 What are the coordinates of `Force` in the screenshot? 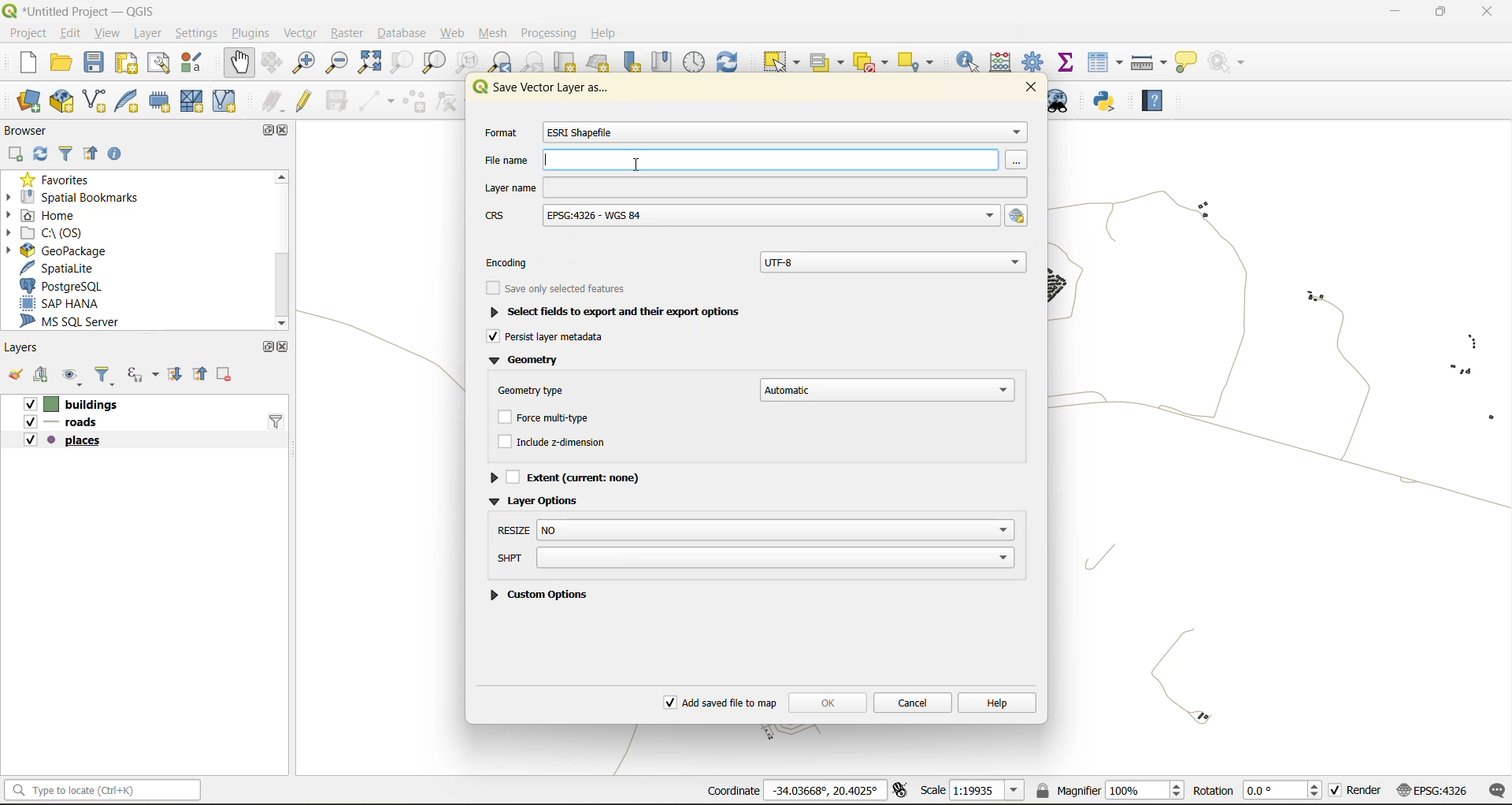 It's located at (555, 418).